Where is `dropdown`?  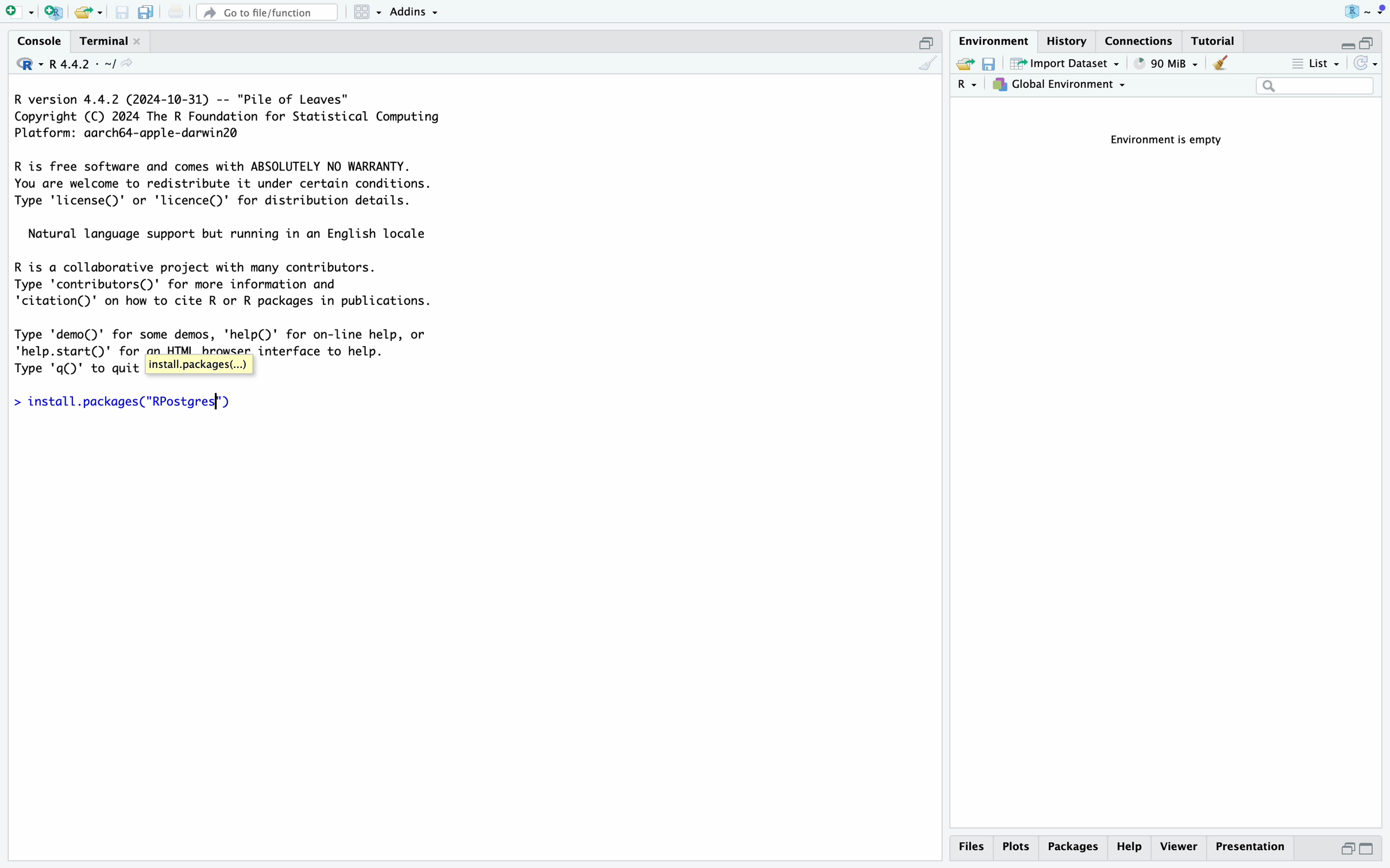
dropdown is located at coordinates (1380, 10).